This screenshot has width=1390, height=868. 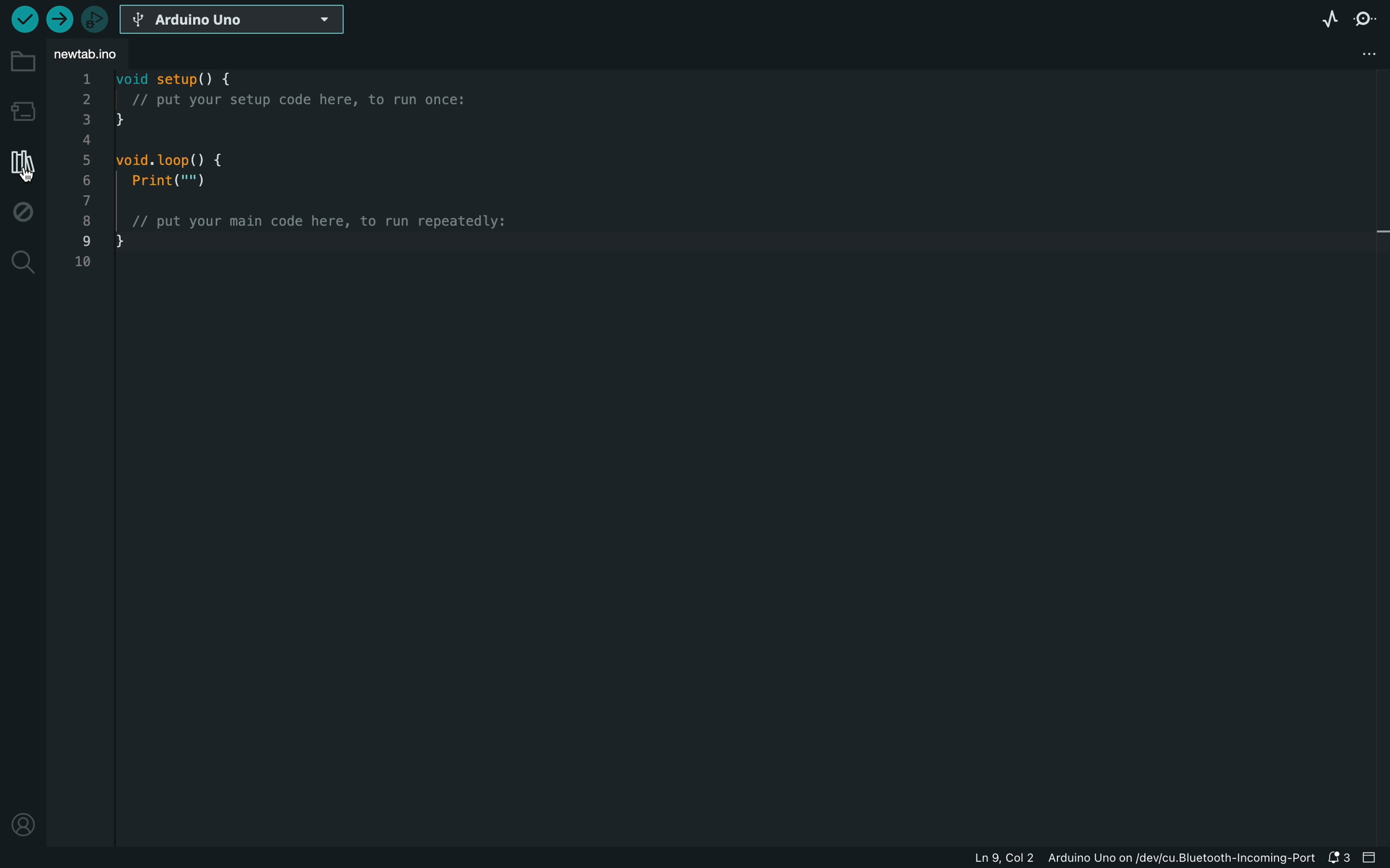 I want to click on file tab, so click(x=105, y=53).